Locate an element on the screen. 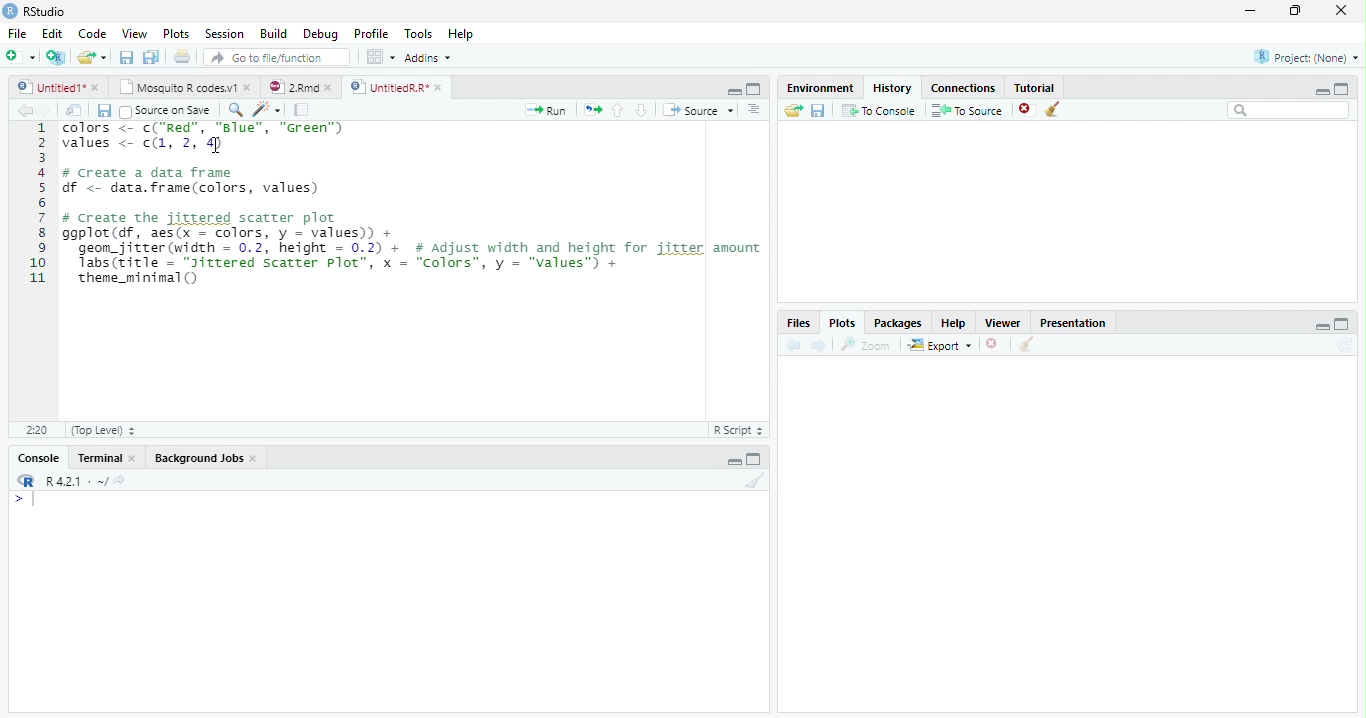 The height and width of the screenshot is (718, 1366). New line is located at coordinates (24, 499).